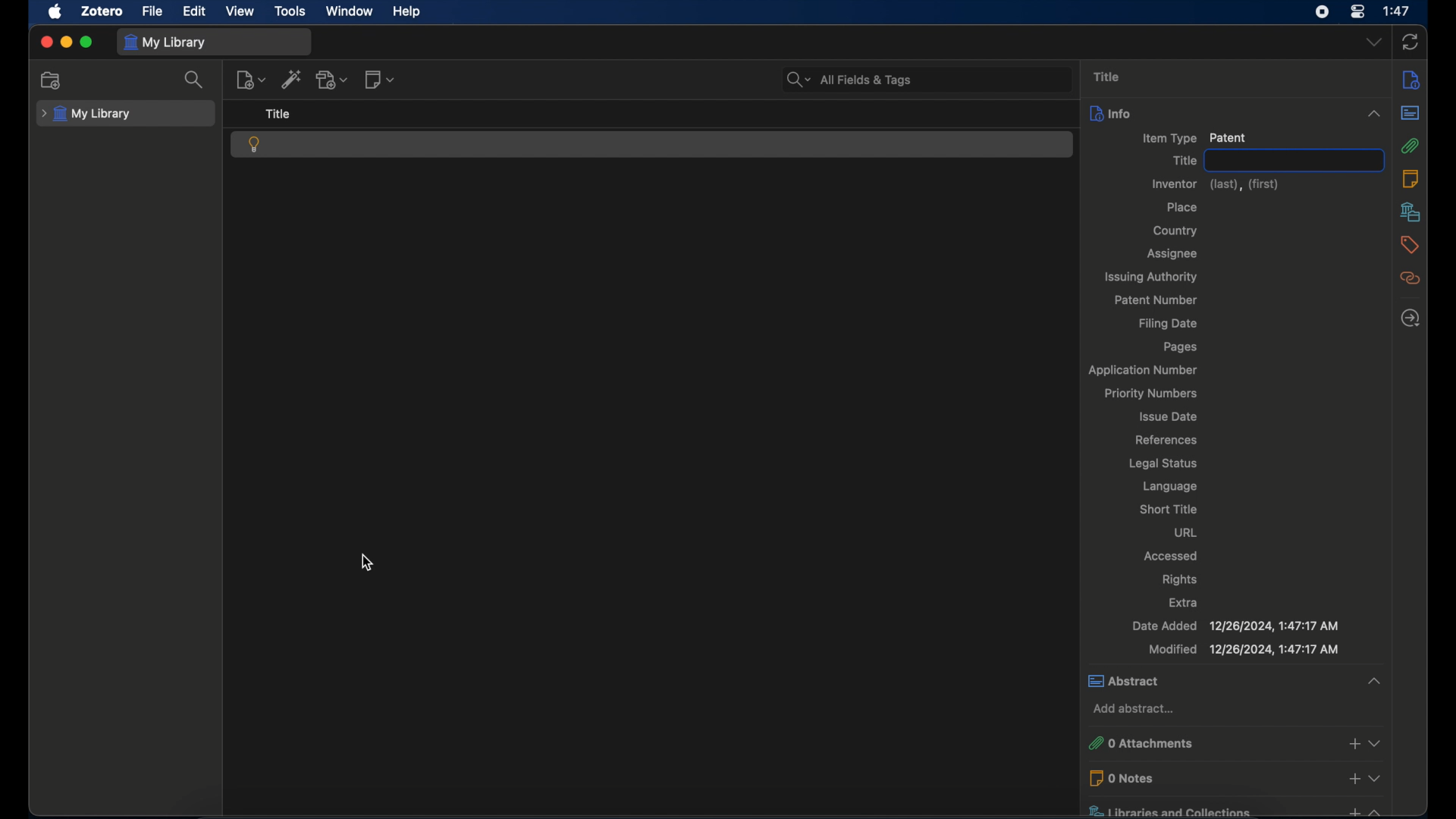  I want to click on new collection, so click(52, 80).